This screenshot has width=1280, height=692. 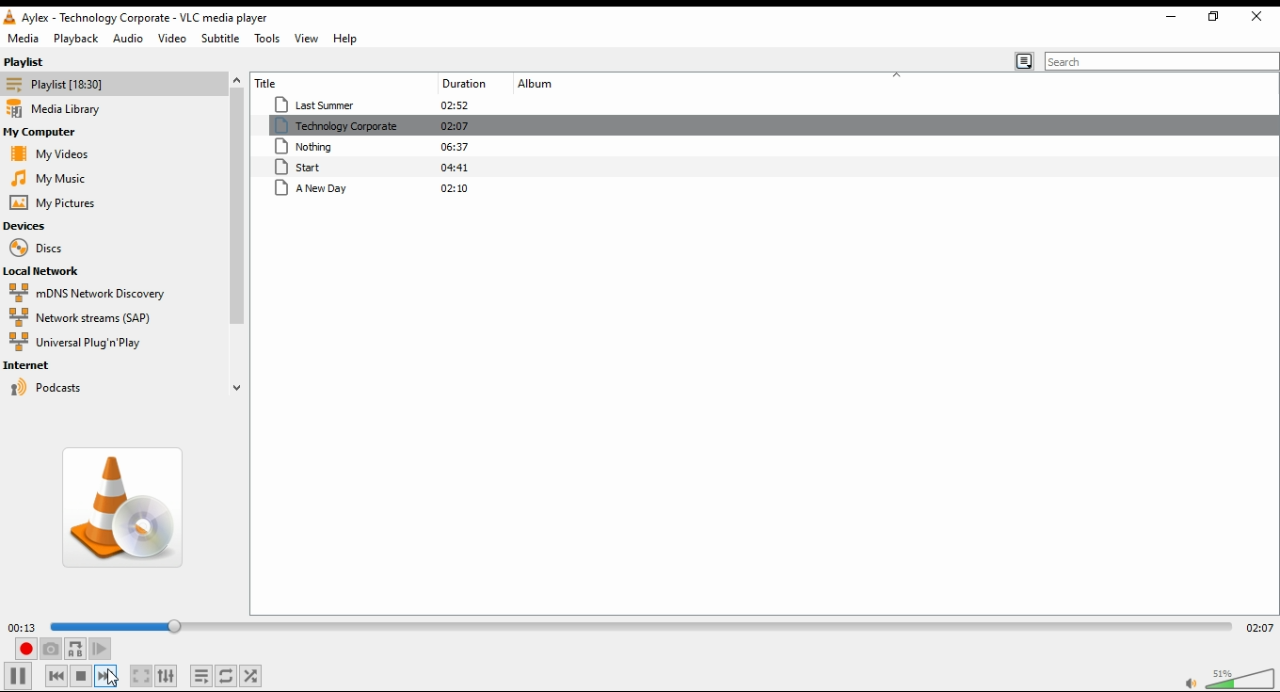 What do you see at coordinates (376, 147) in the screenshot?
I see `nothing` at bounding box center [376, 147].